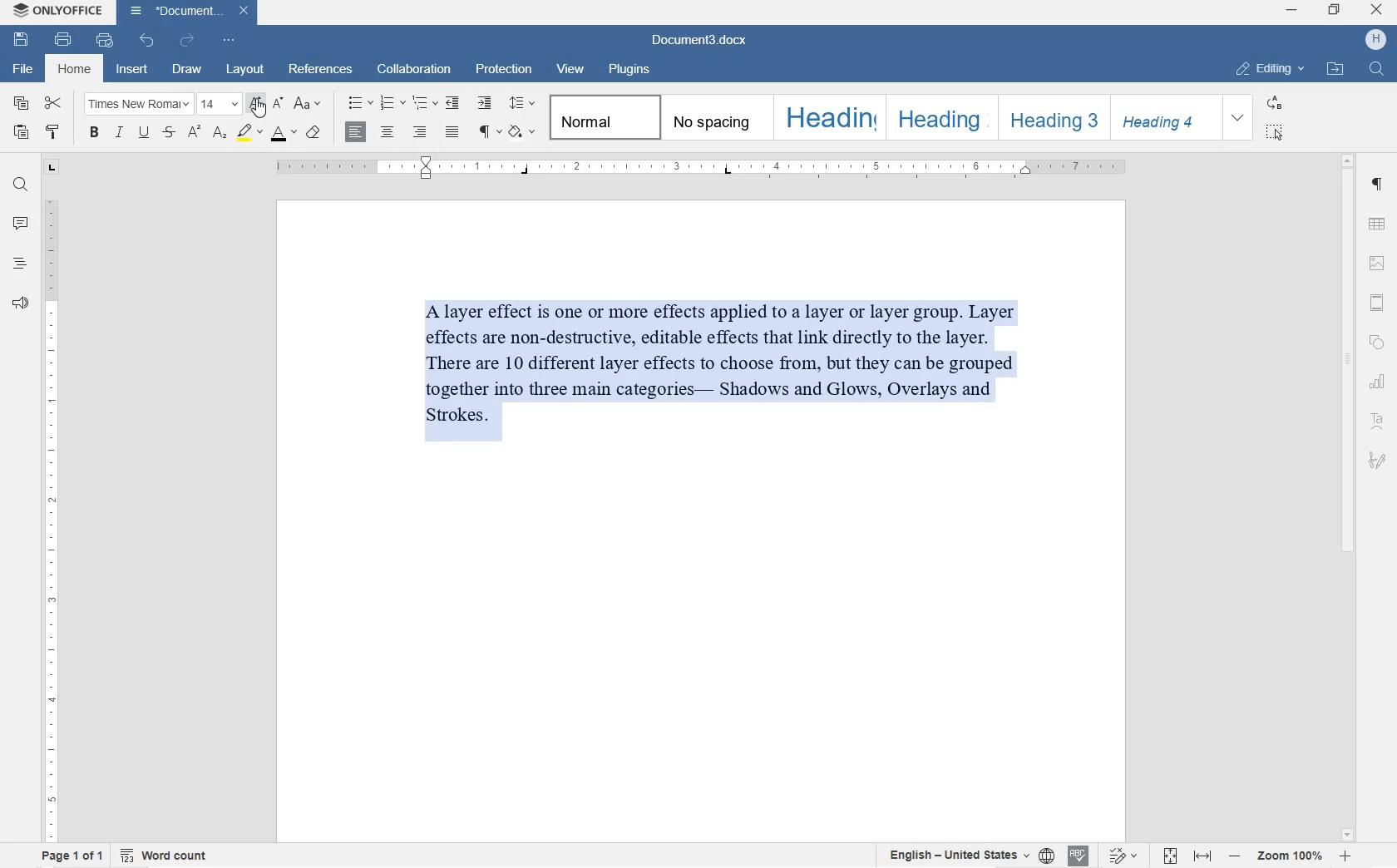 This screenshot has width=1397, height=868. I want to click on CLEAR STYLE, so click(315, 131).